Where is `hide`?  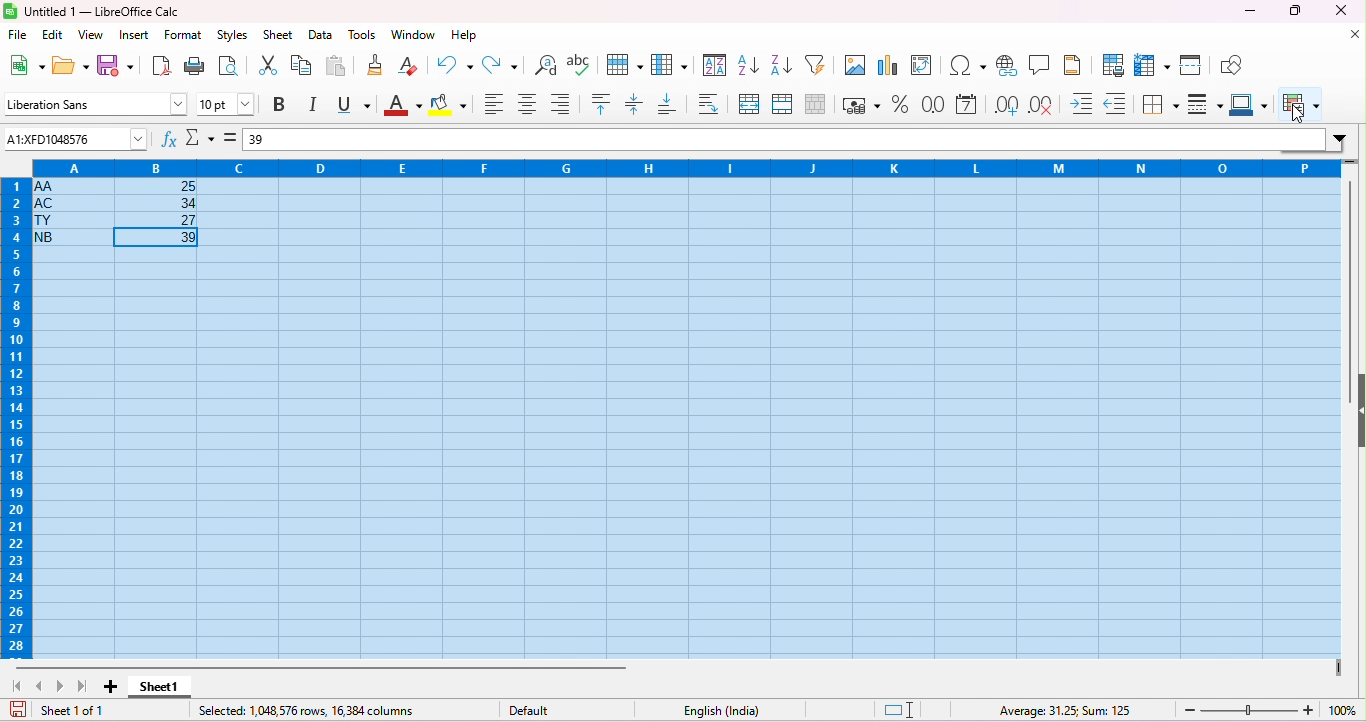
hide is located at coordinates (1357, 418).